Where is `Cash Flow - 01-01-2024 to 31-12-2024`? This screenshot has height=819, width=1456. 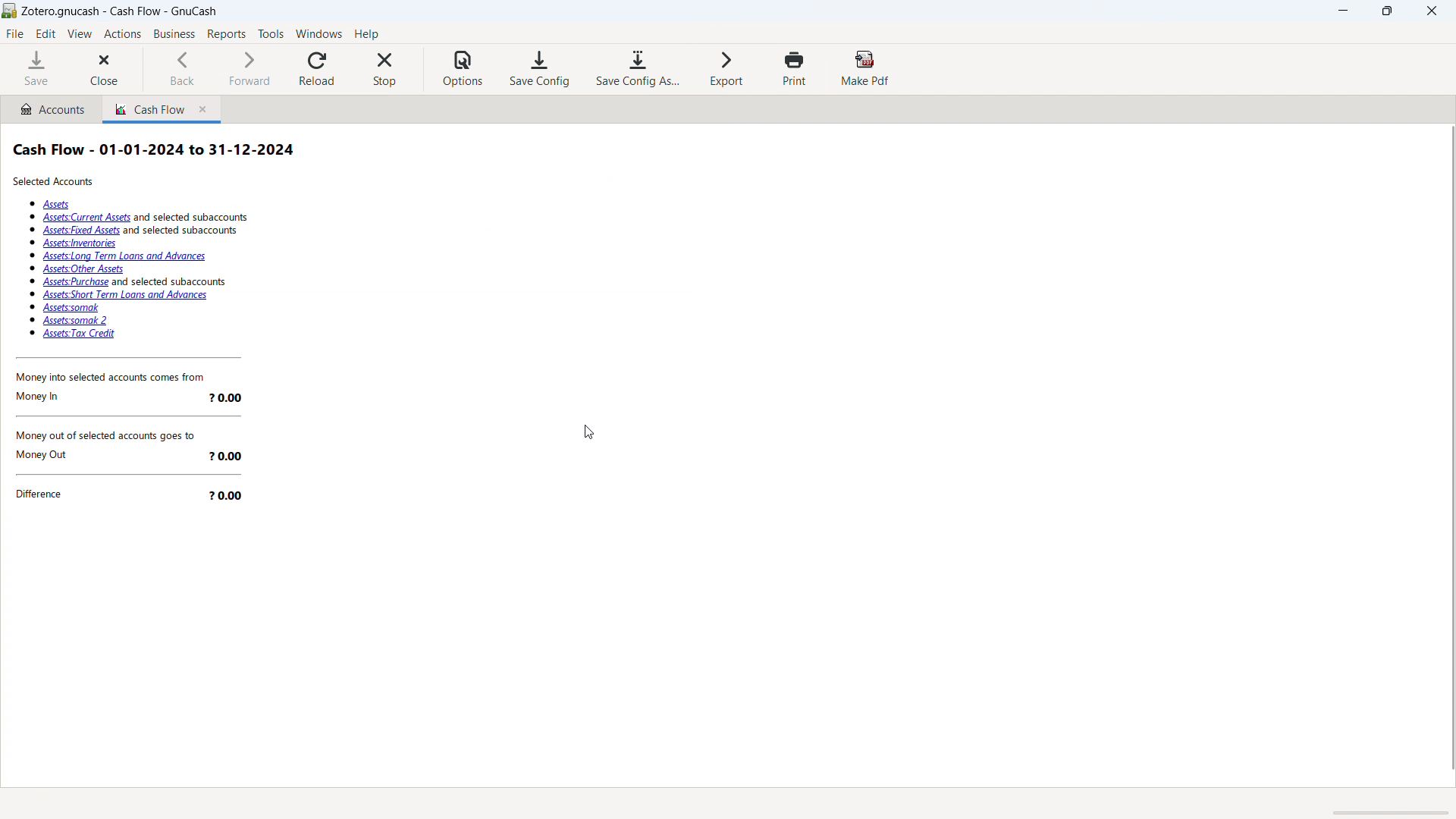
Cash Flow - 01-01-2024 to 31-12-2024 is located at coordinates (155, 147).